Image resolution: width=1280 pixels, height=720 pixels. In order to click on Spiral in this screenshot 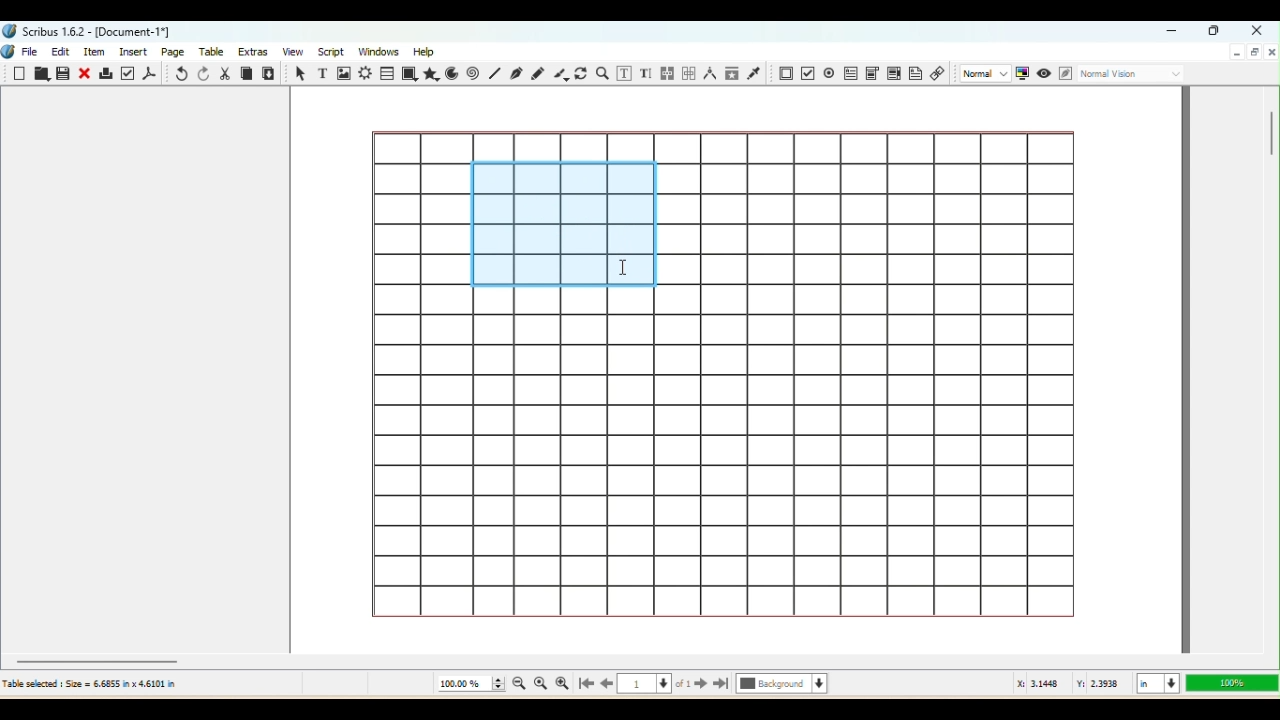, I will do `click(475, 74)`.